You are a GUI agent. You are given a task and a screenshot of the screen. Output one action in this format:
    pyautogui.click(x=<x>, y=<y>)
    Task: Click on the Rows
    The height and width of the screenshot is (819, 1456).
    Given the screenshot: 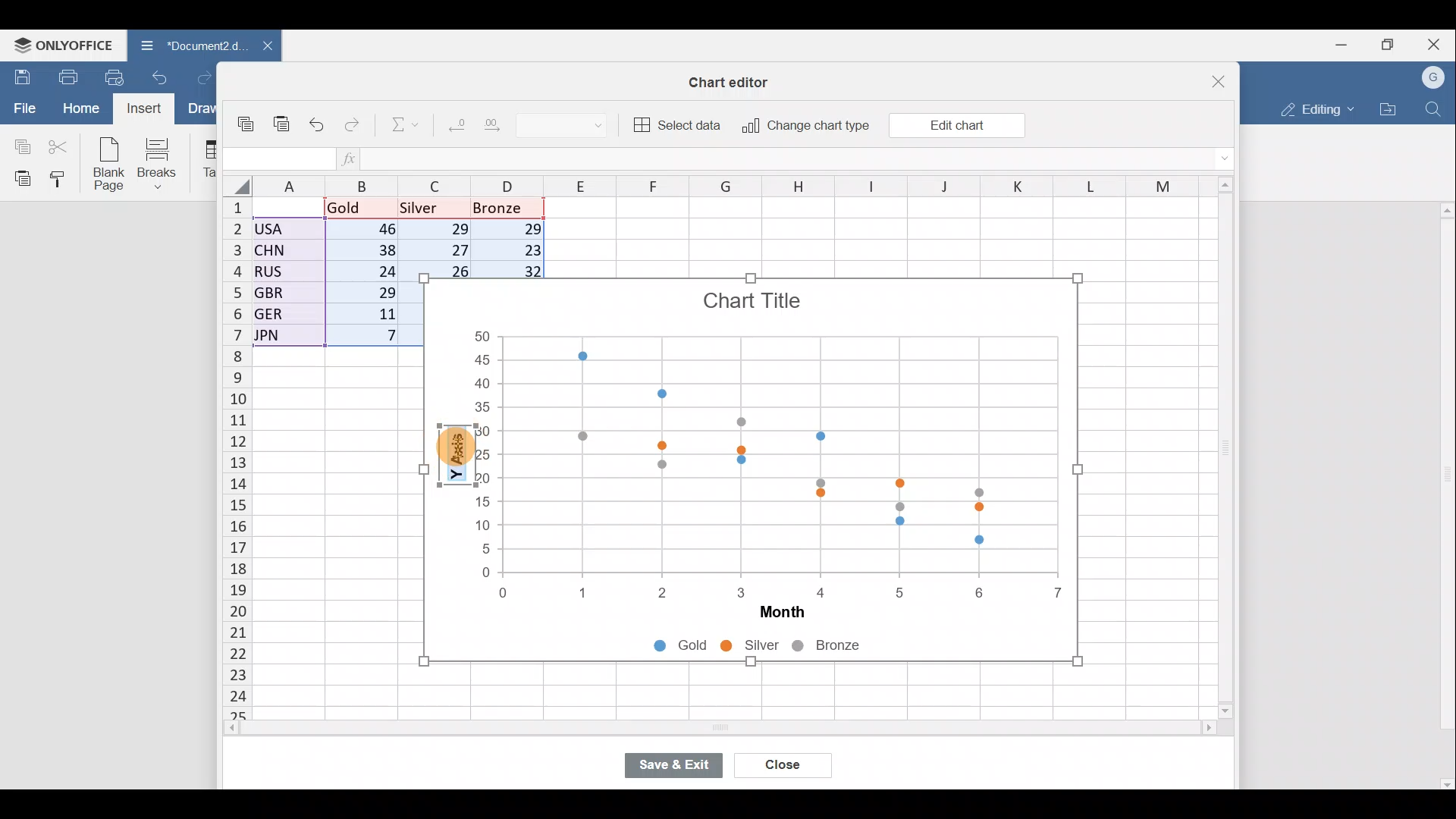 What is the action you would take?
    pyautogui.click(x=227, y=460)
    